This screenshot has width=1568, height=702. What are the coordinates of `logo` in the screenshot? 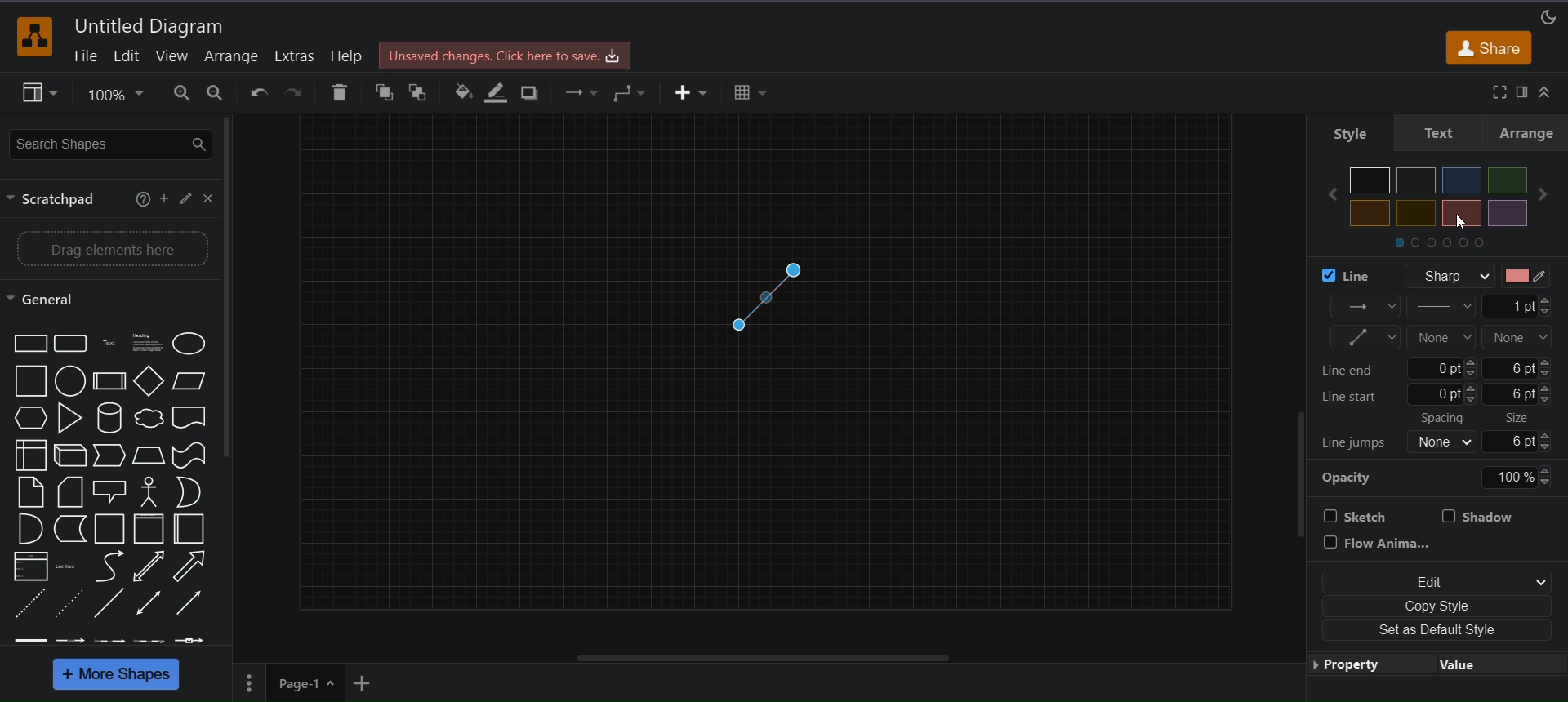 It's located at (33, 36).